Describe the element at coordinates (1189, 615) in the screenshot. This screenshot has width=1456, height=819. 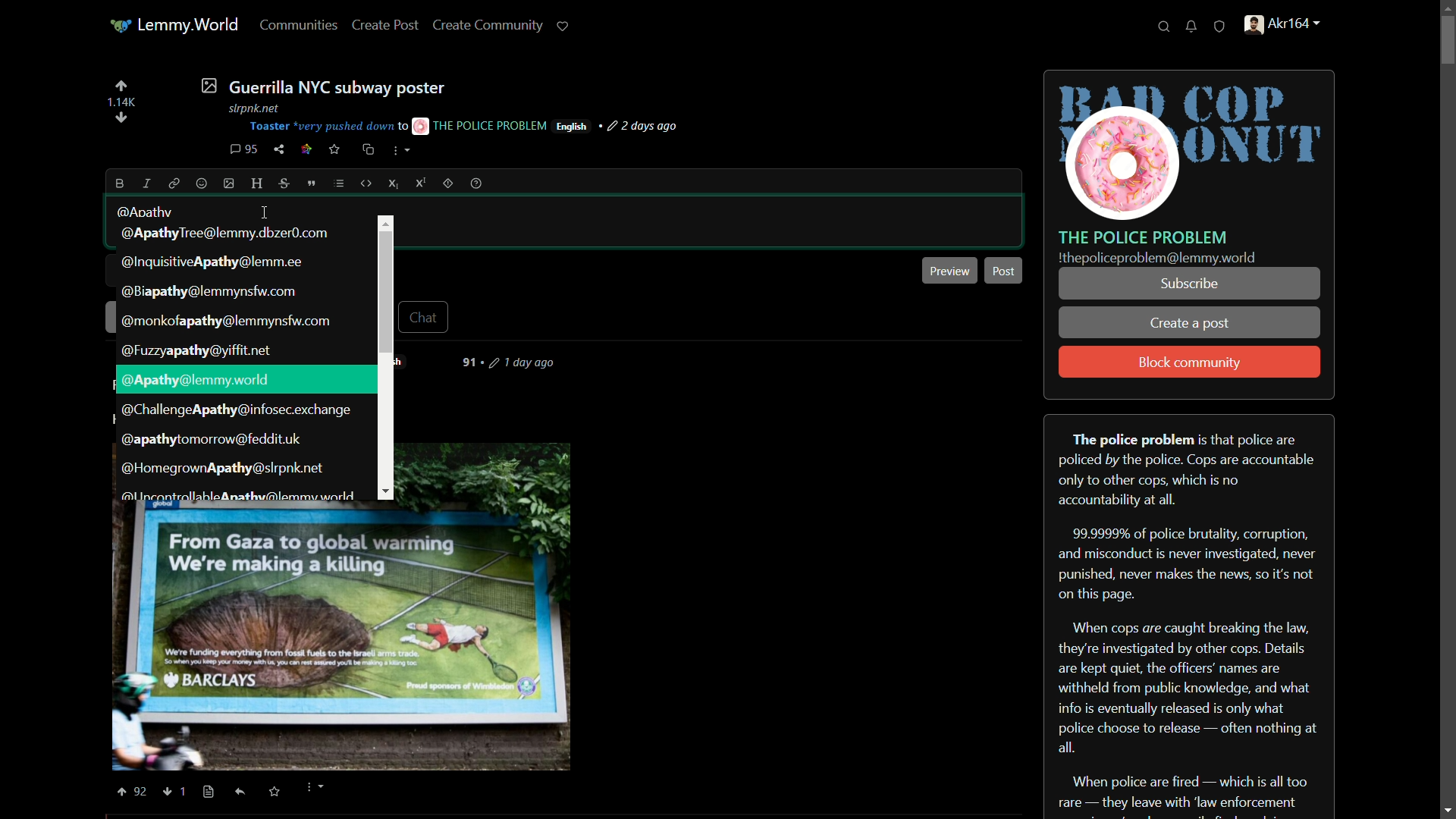
I see `about server` at that location.